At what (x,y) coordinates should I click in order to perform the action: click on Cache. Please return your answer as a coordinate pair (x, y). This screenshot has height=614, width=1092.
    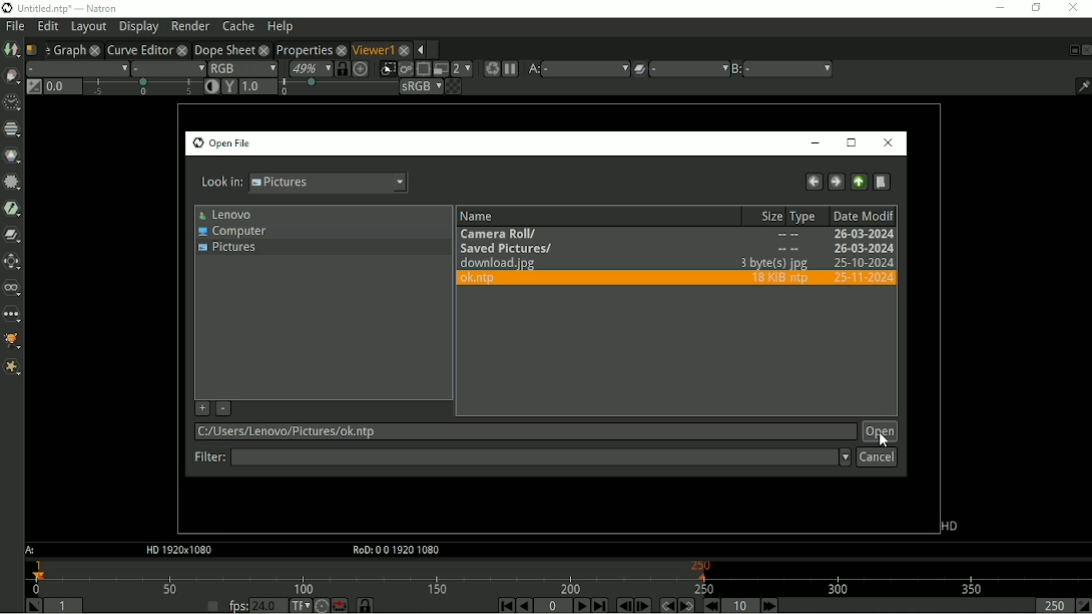
    Looking at the image, I should click on (238, 26).